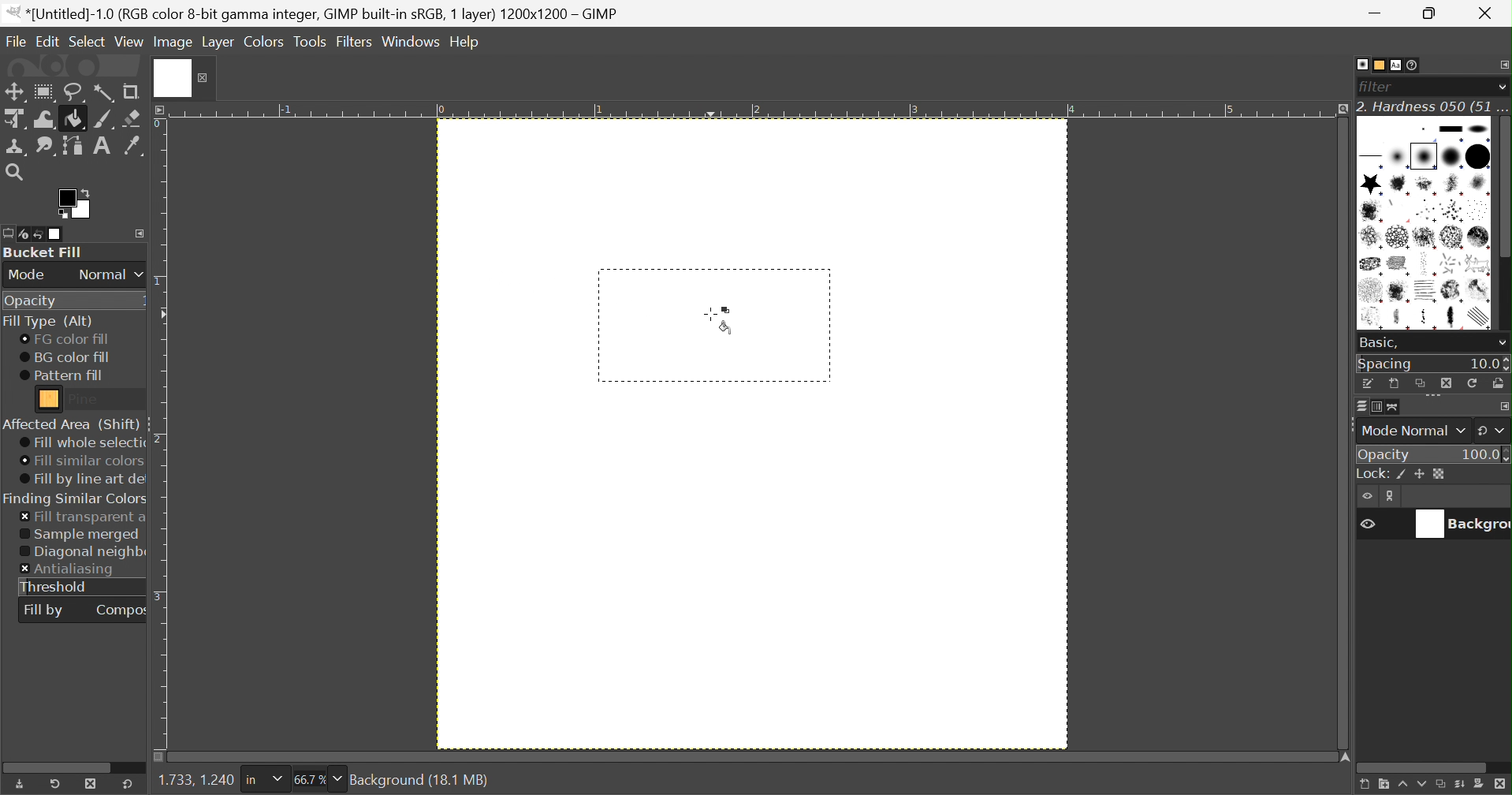 The image size is (1512, 795). Describe the element at coordinates (1478, 263) in the screenshot. I see `GEGL goat` at that location.